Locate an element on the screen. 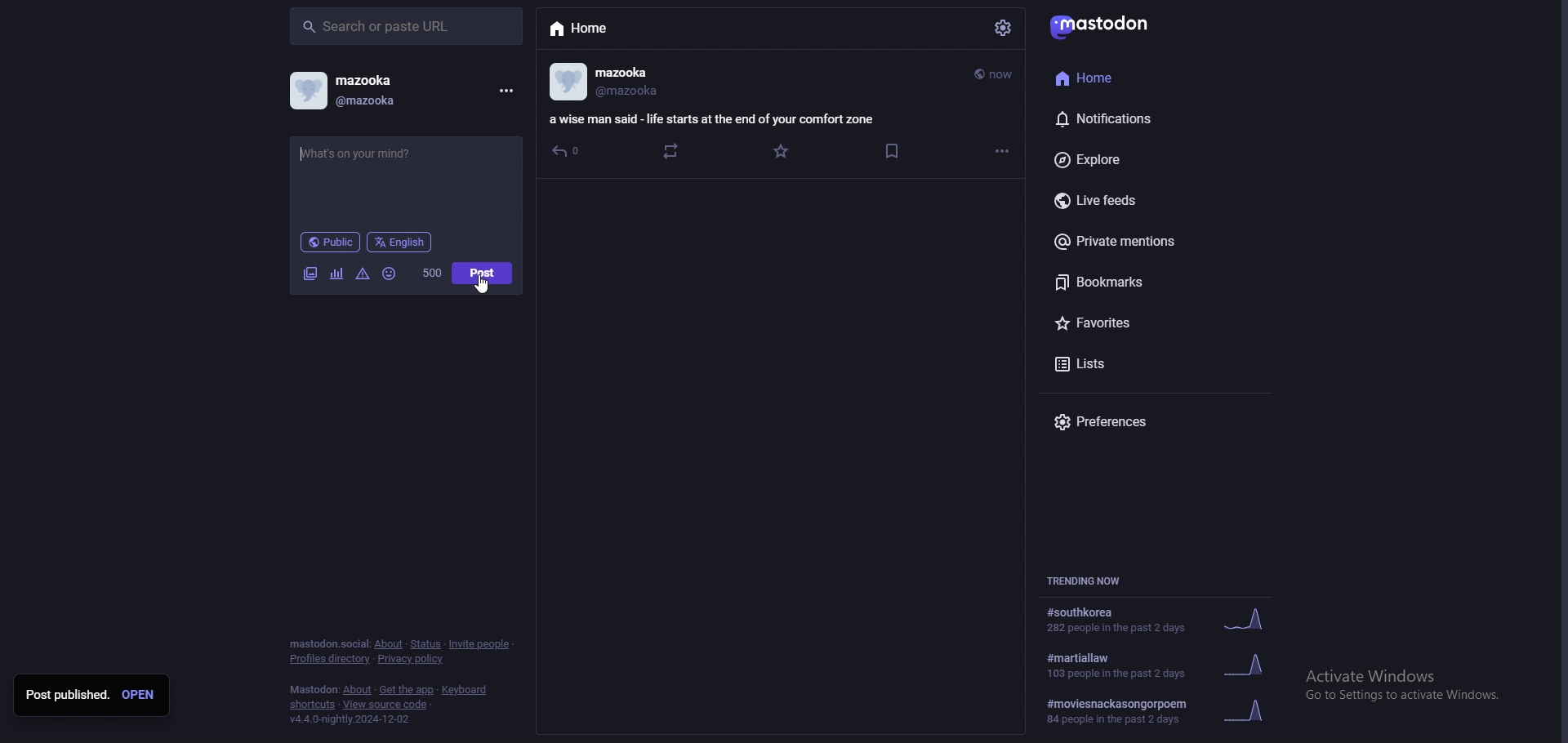 This screenshot has height=743, width=1568. keyboard is located at coordinates (467, 690).